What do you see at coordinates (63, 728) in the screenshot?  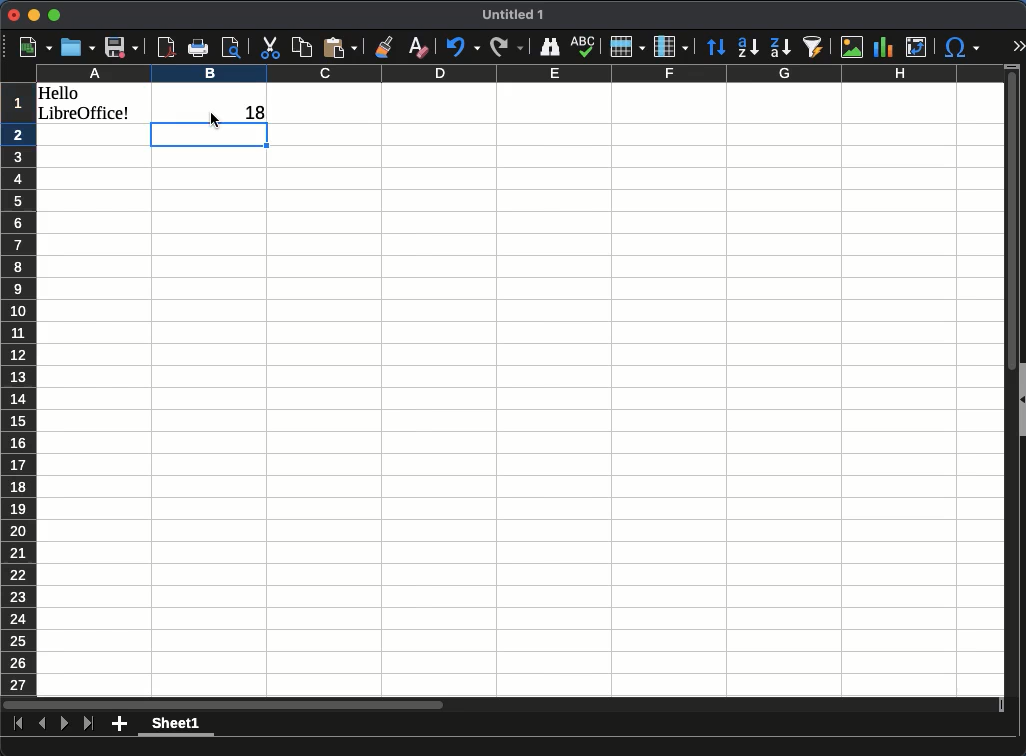 I see `next sheet` at bounding box center [63, 728].